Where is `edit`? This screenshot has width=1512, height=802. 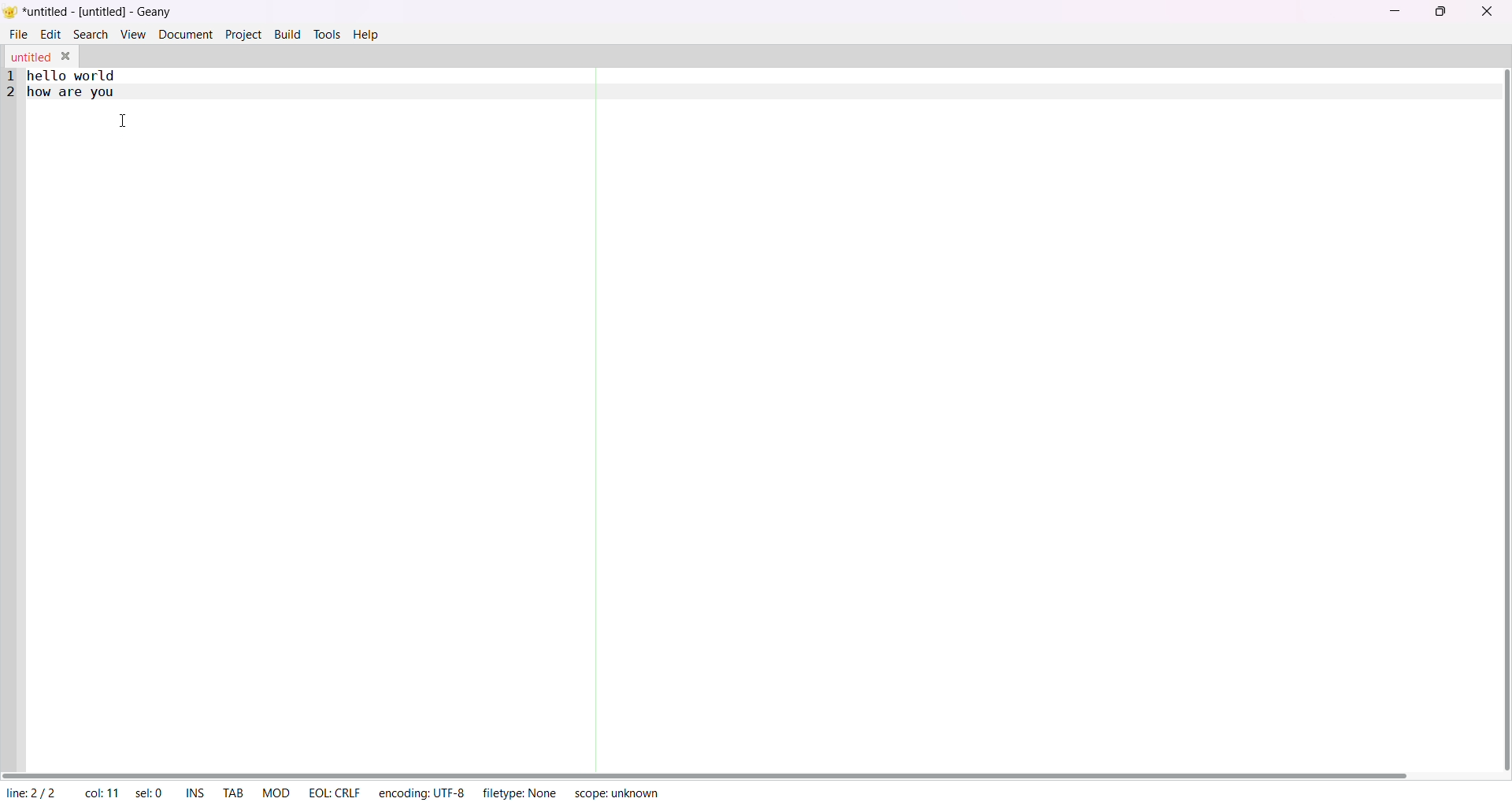 edit is located at coordinates (49, 33).